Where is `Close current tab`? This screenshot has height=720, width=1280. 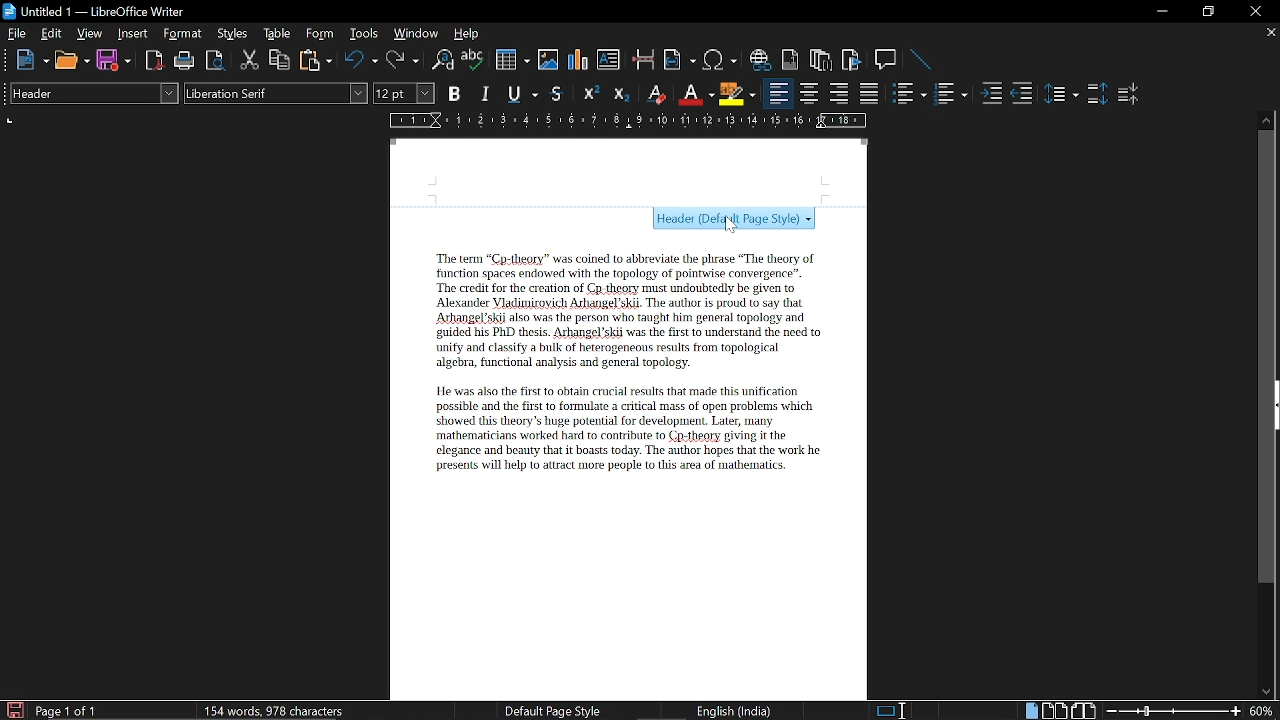 Close current tab is located at coordinates (1267, 32).